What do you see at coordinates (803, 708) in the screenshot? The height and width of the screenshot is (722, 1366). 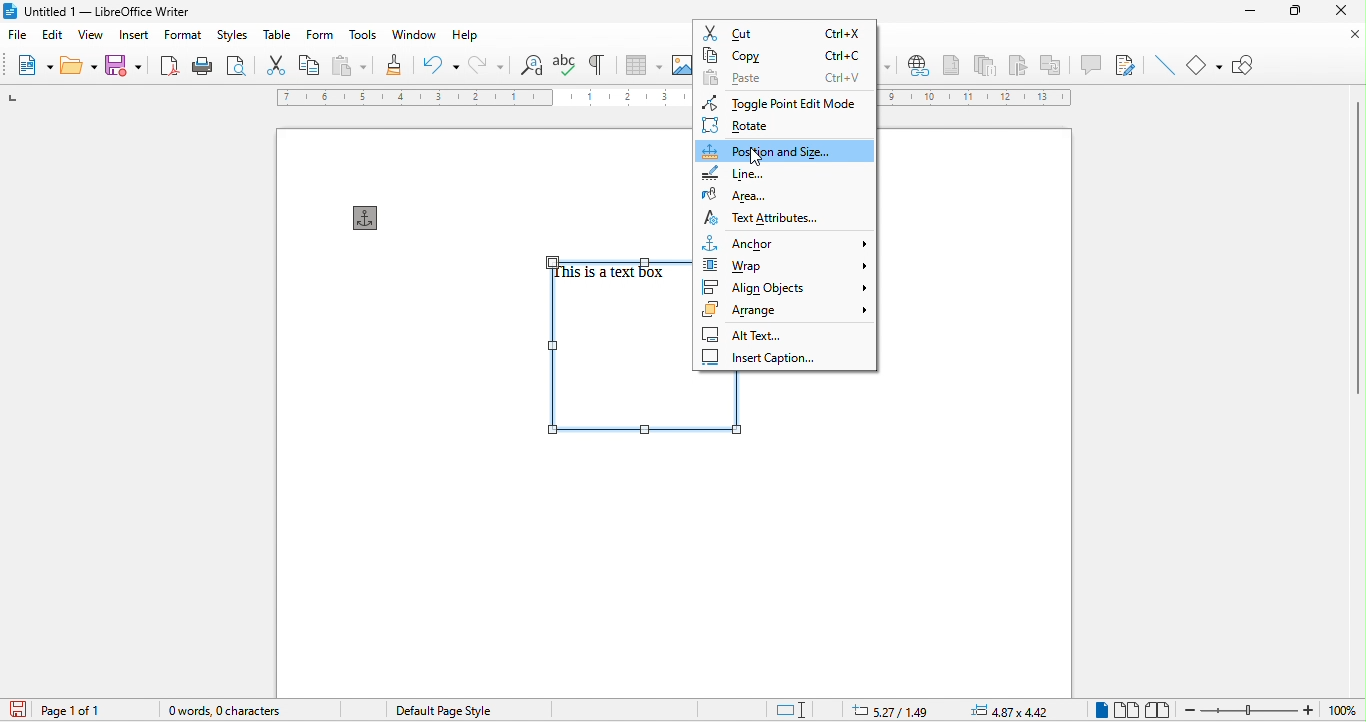 I see `standard selection` at bounding box center [803, 708].